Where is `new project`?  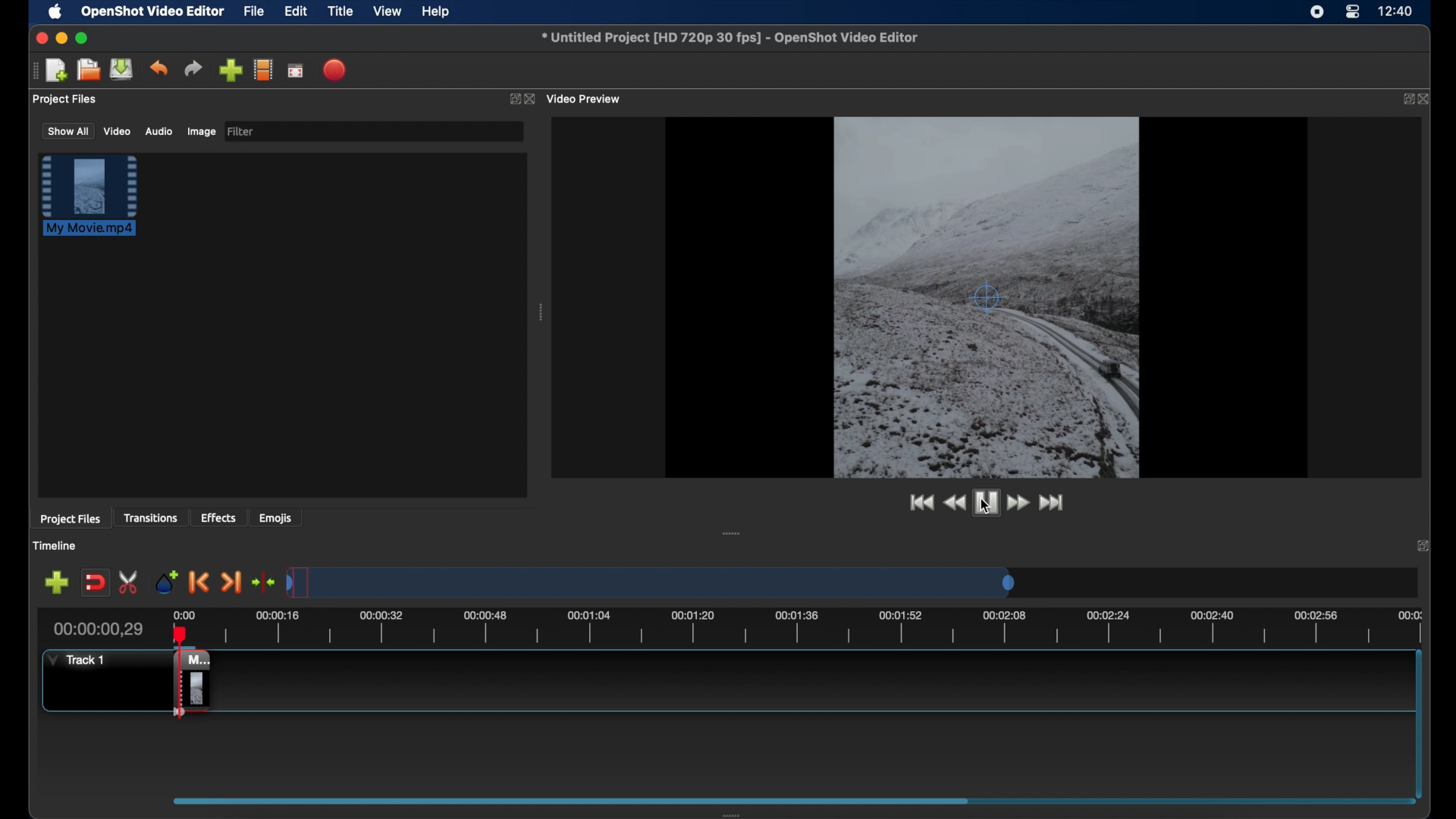 new project is located at coordinates (57, 71).